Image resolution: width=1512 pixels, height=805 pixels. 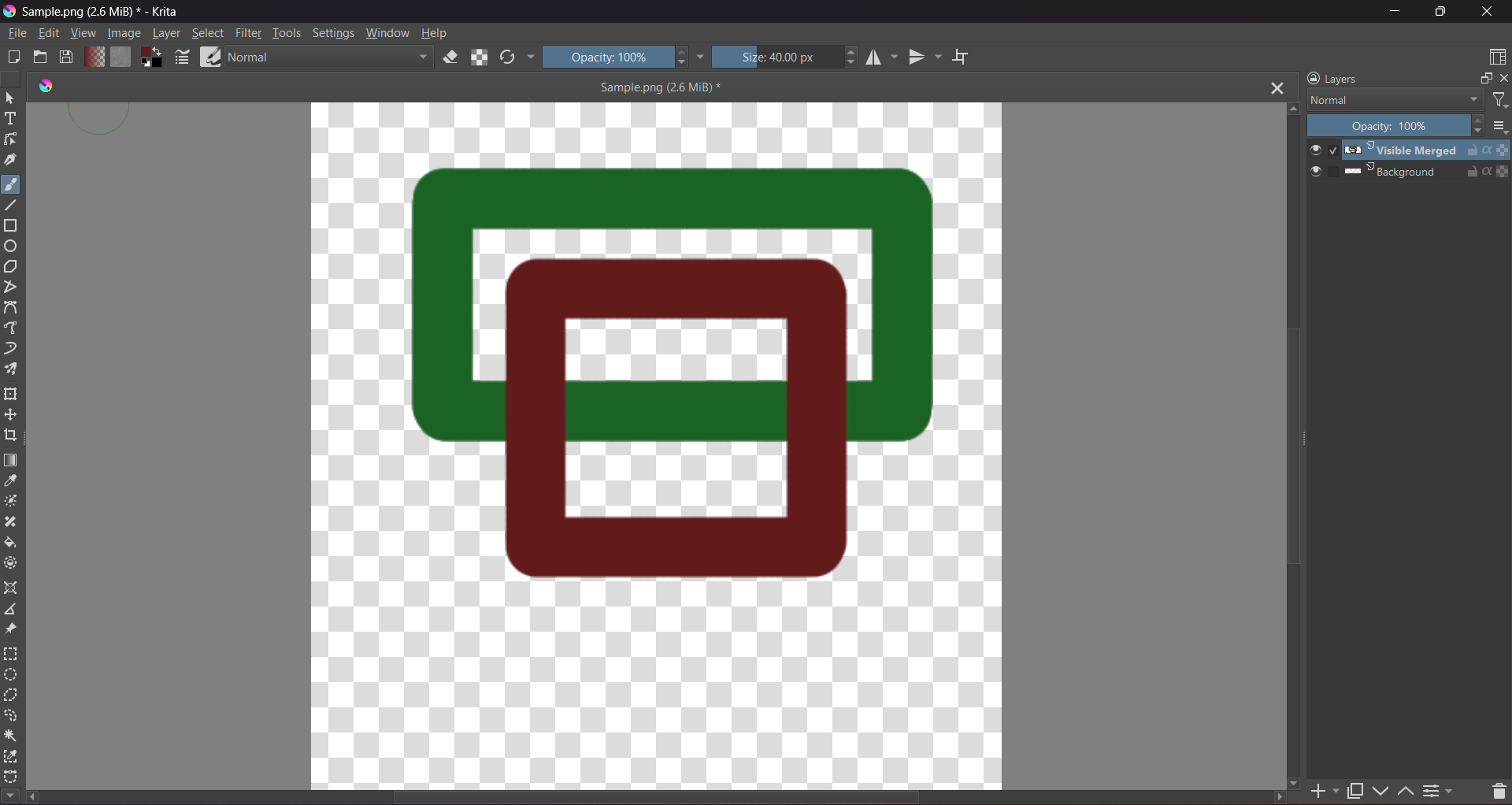 What do you see at coordinates (1354, 788) in the screenshot?
I see `Duplicate` at bounding box center [1354, 788].